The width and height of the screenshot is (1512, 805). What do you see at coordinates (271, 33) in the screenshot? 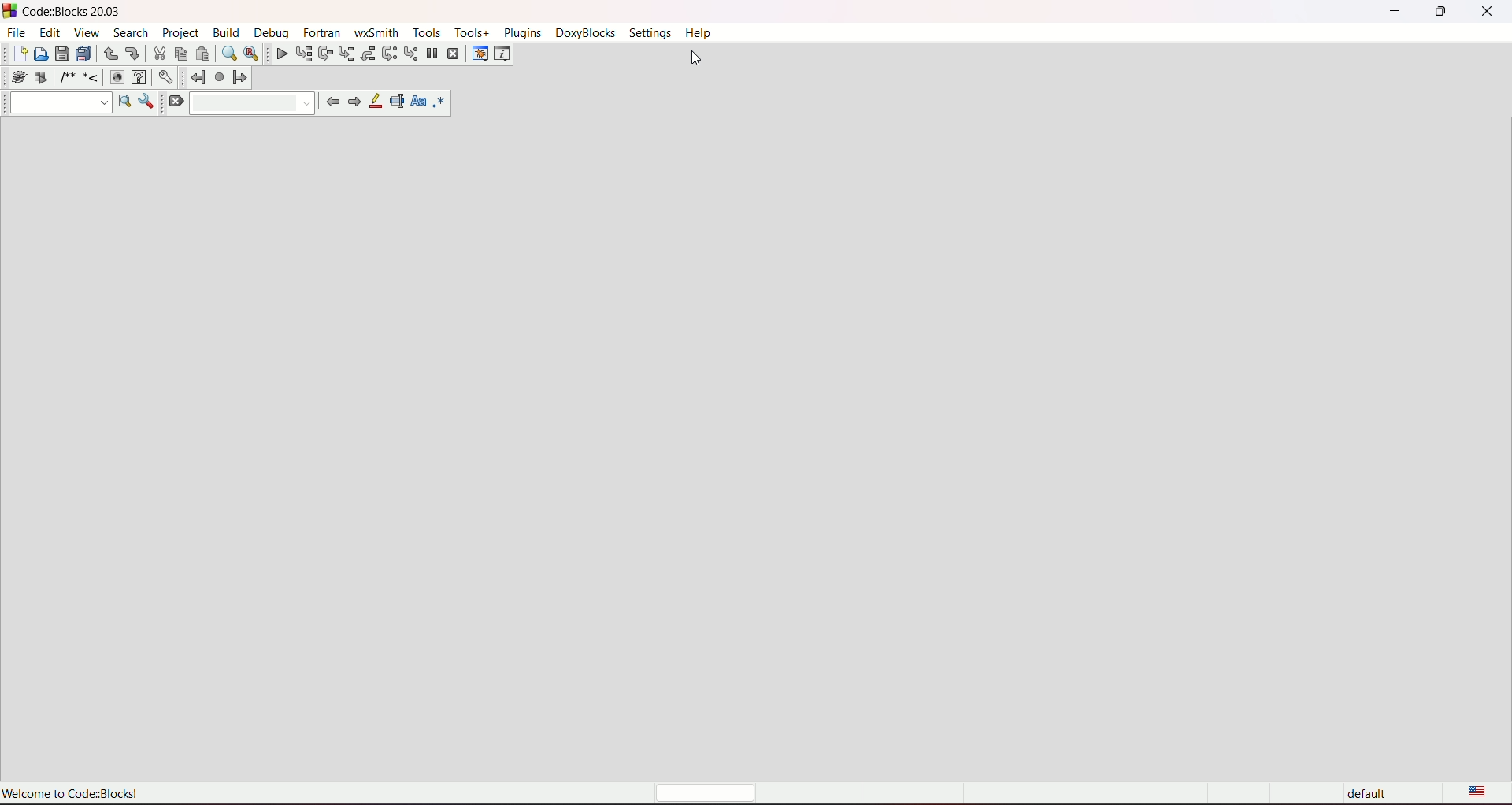
I see `debug` at bounding box center [271, 33].